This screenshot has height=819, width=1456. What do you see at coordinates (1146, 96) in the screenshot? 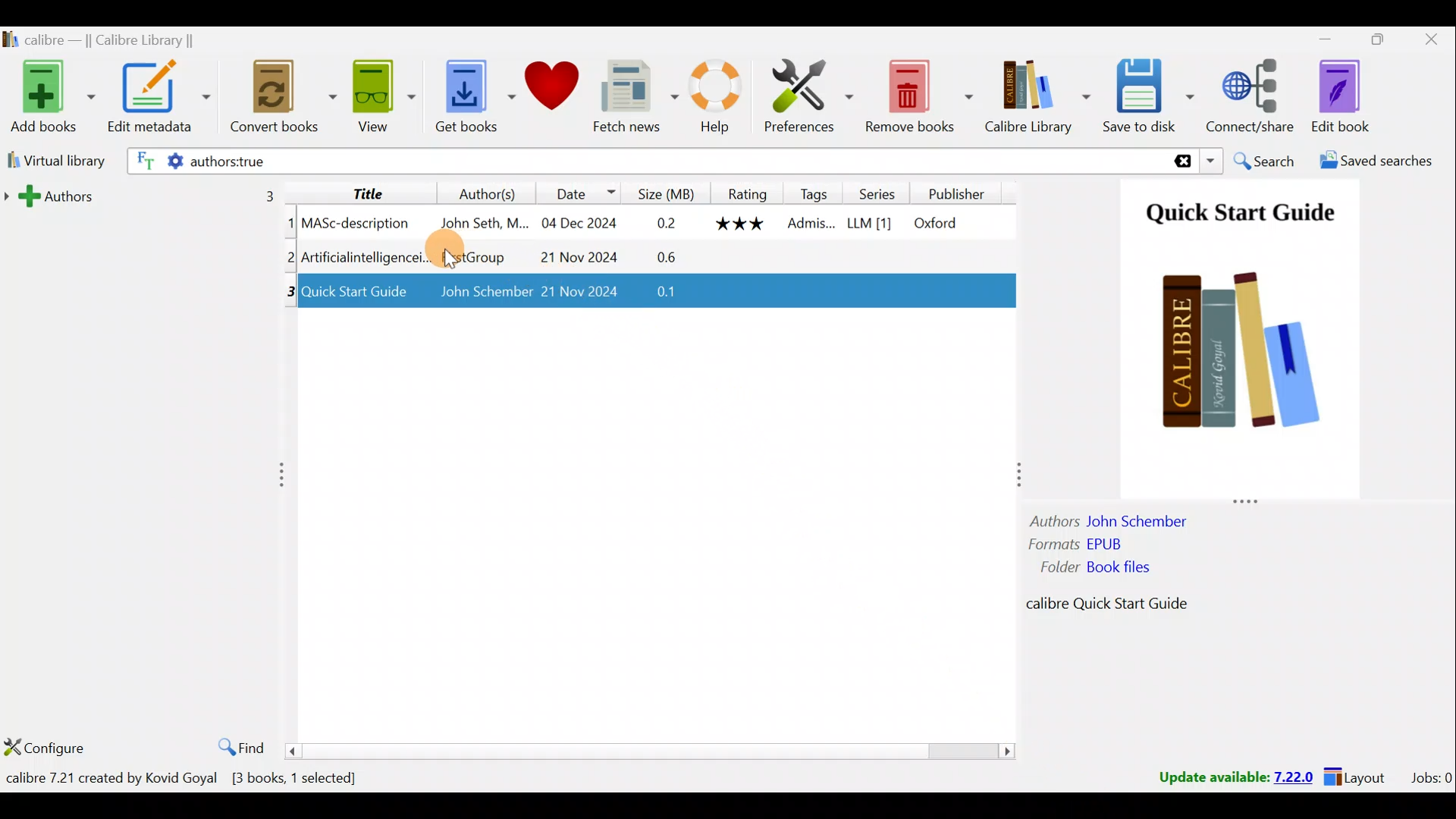
I see `Save to disk` at bounding box center [1146, 96].